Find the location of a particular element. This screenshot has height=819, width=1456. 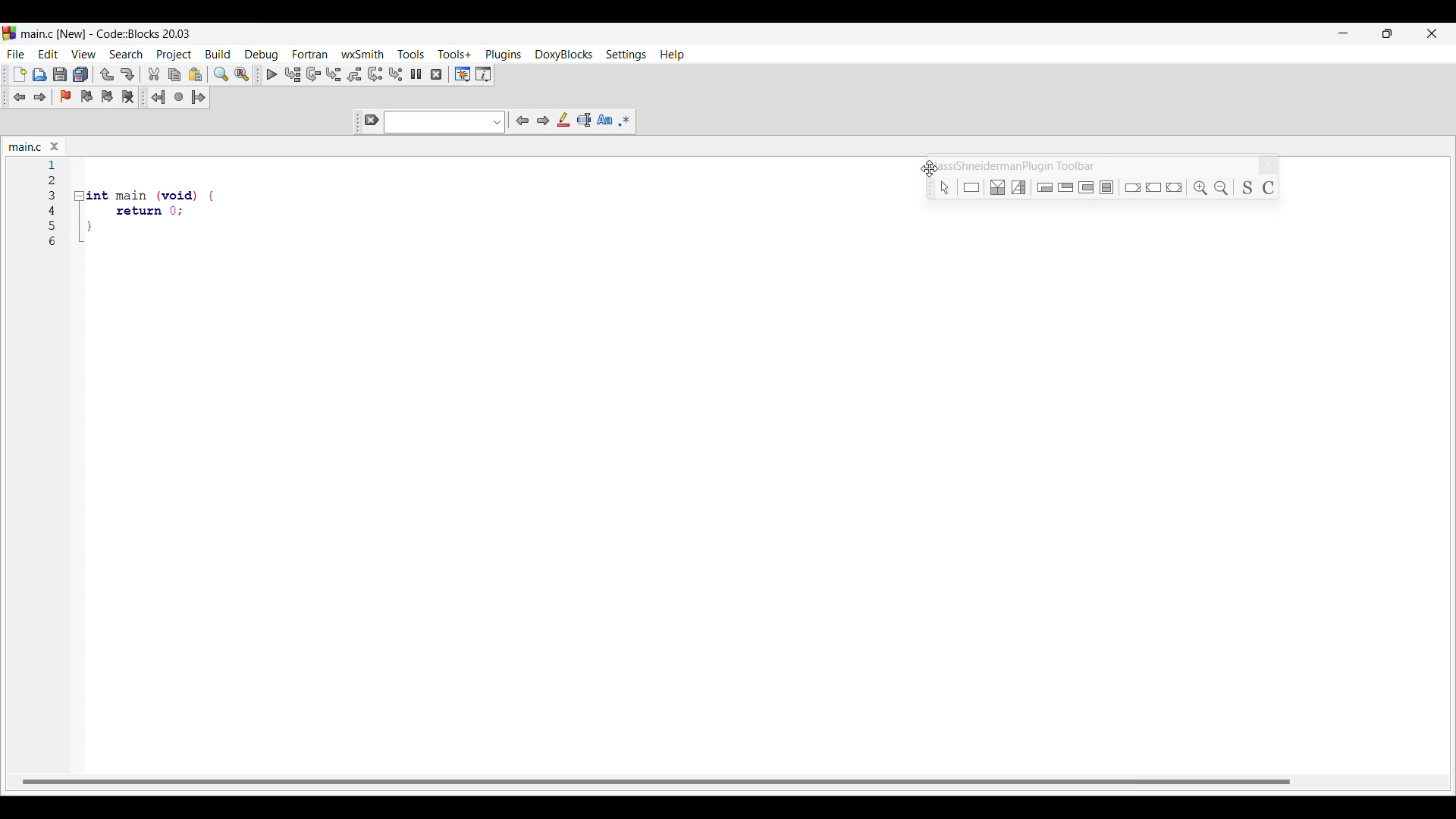

DoxyBlocks menu is located at coordinates (563, 55).